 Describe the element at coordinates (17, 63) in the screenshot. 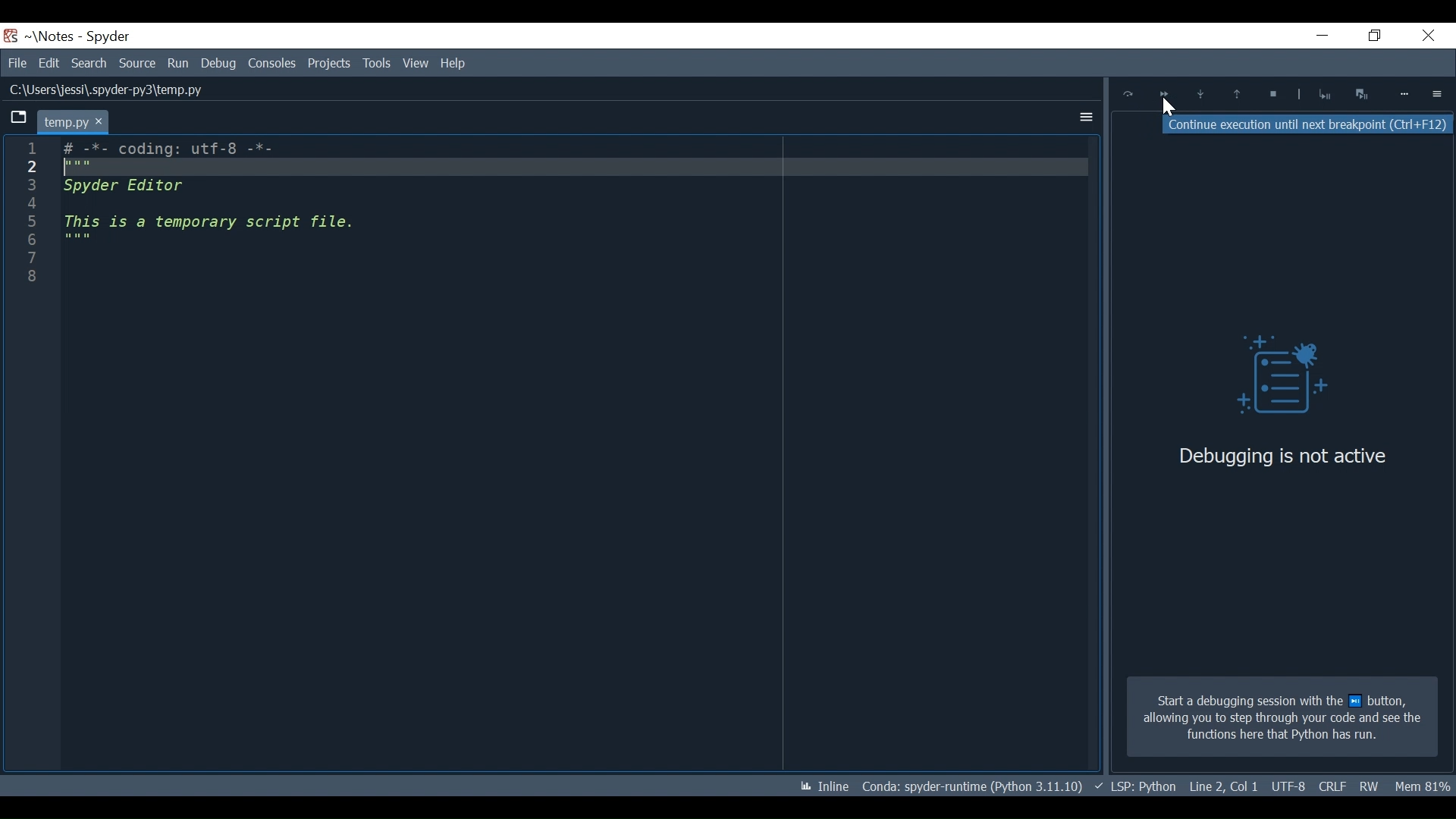

I see `File` at that location.